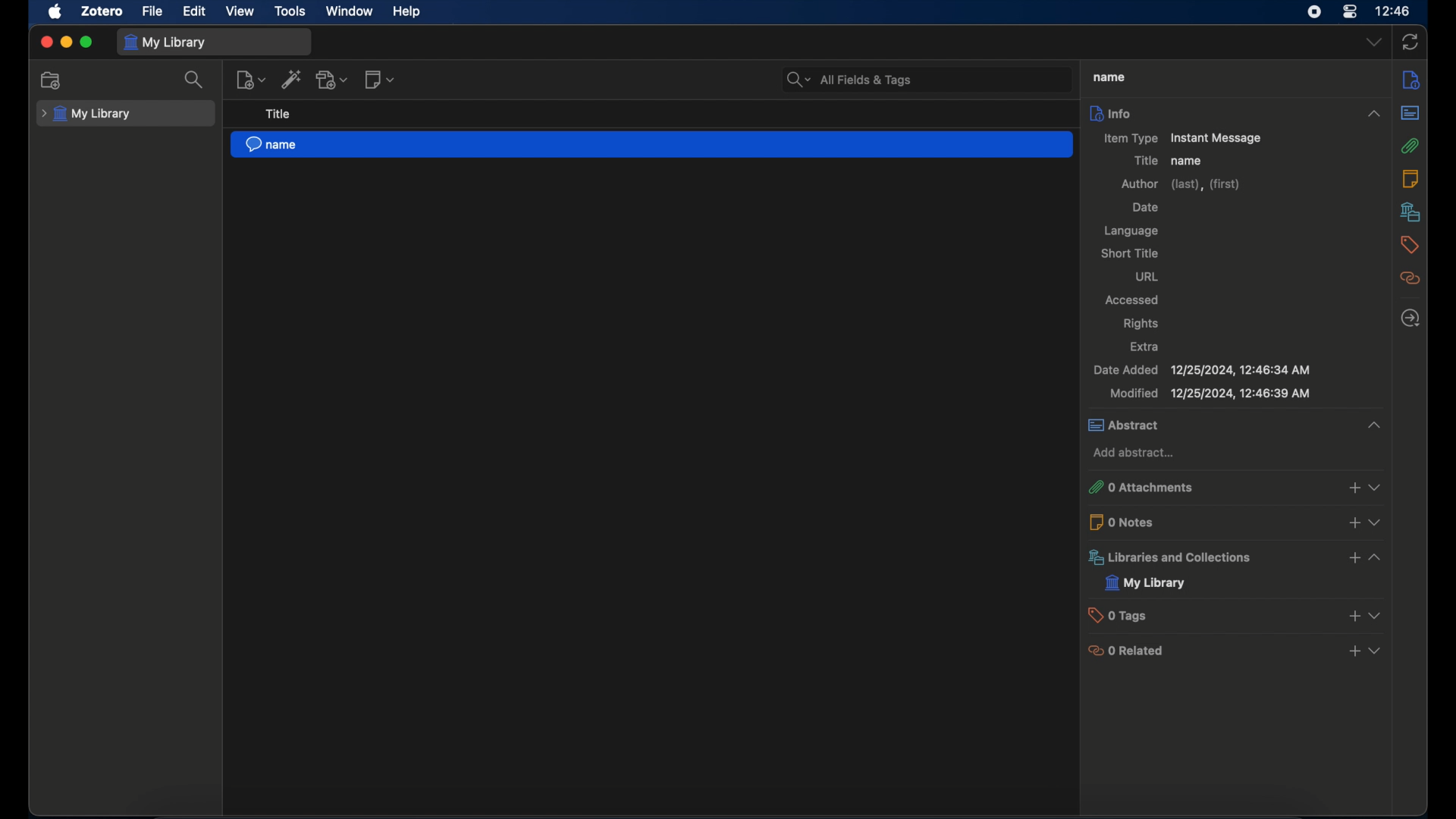 The image size is (1456, 819). Describe the element at coordinates (65, 42) in the screenshot. I see `minimize` at that location.